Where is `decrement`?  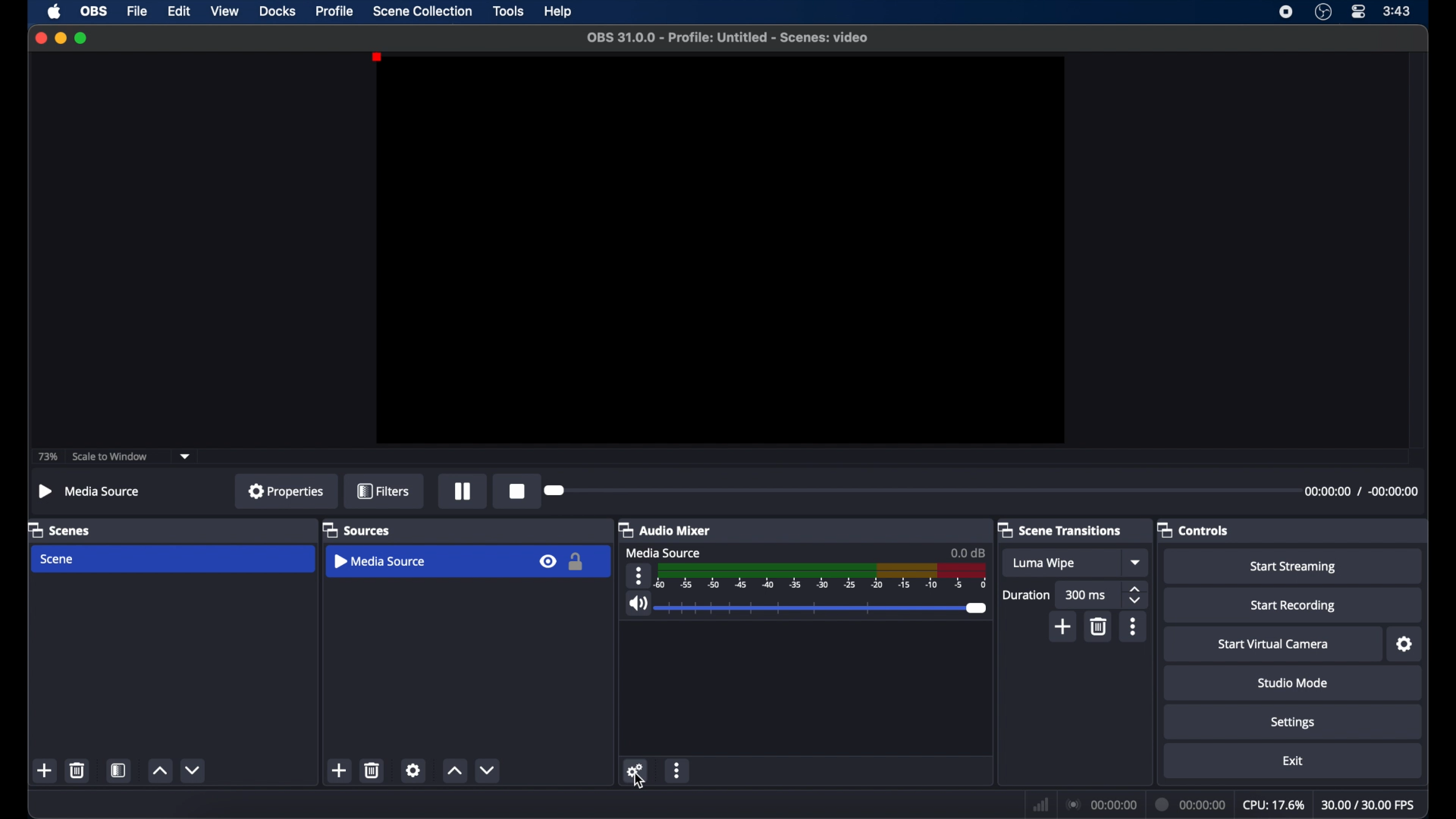 decrement is located at coordinates (487, 770).